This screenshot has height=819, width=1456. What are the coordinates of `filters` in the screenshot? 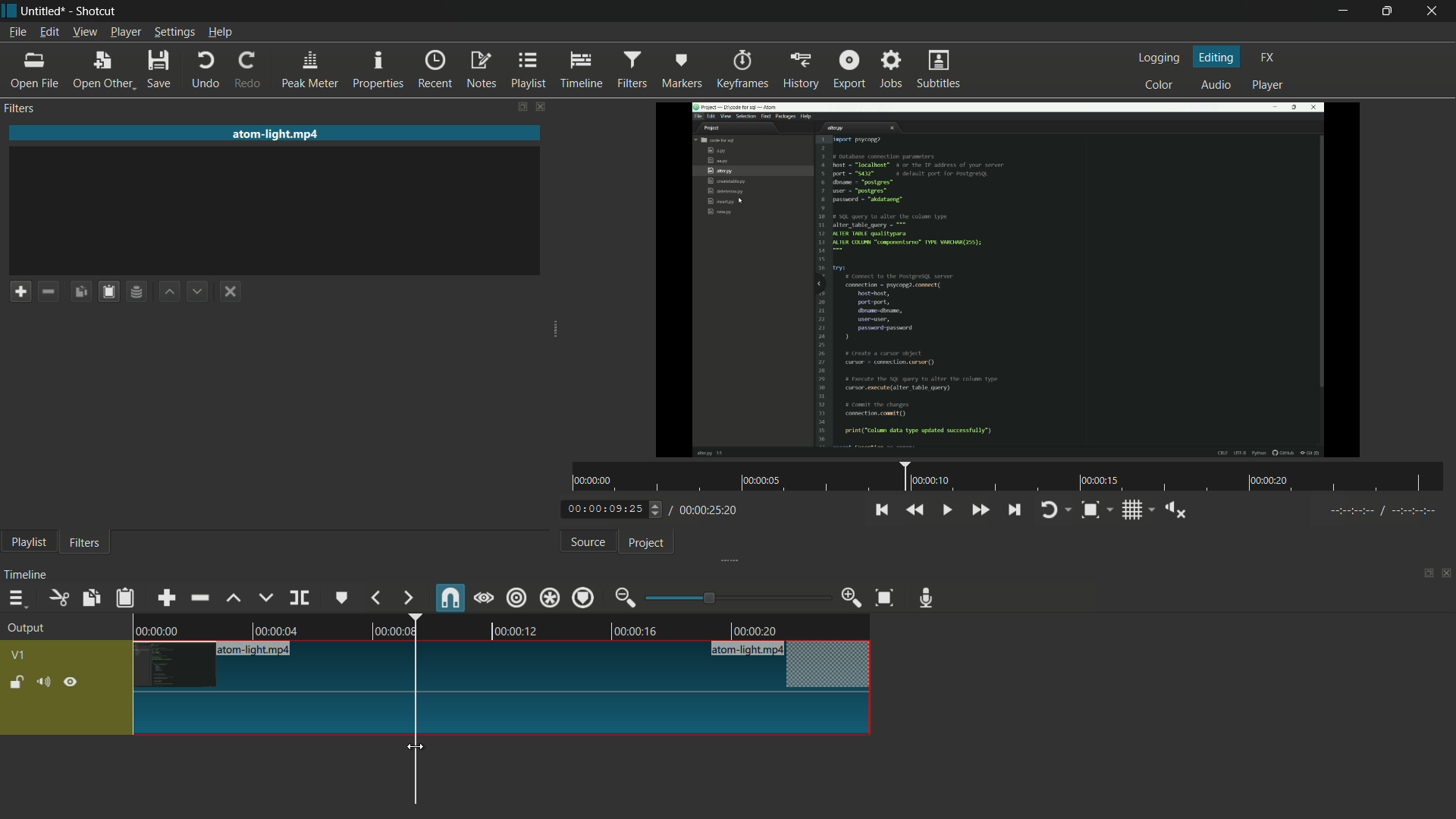 It's located at (22, 109).